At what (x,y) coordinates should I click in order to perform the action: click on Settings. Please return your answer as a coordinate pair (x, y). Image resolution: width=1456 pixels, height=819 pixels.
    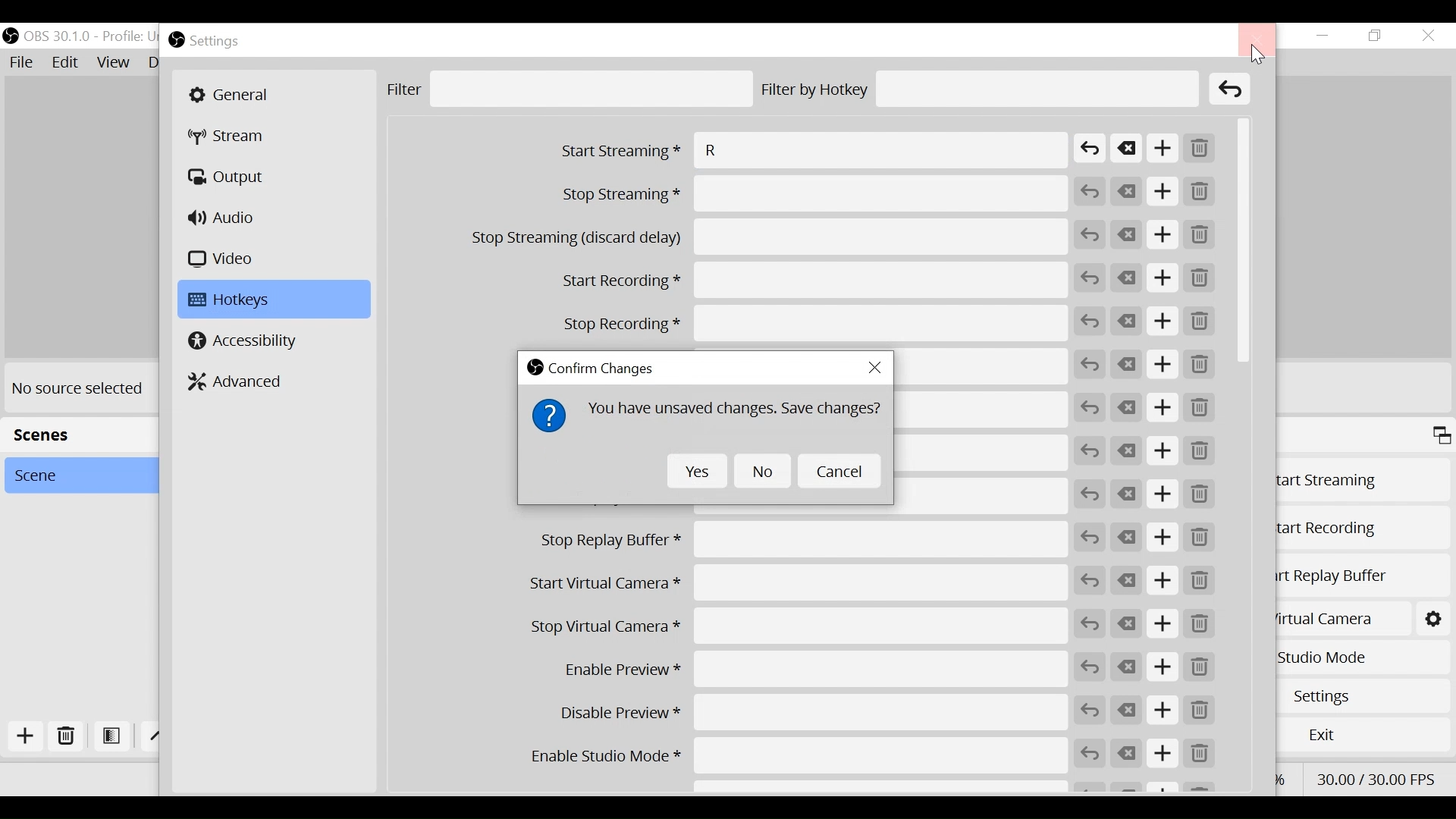
    Looking at the image, I should click on (1369, 695).